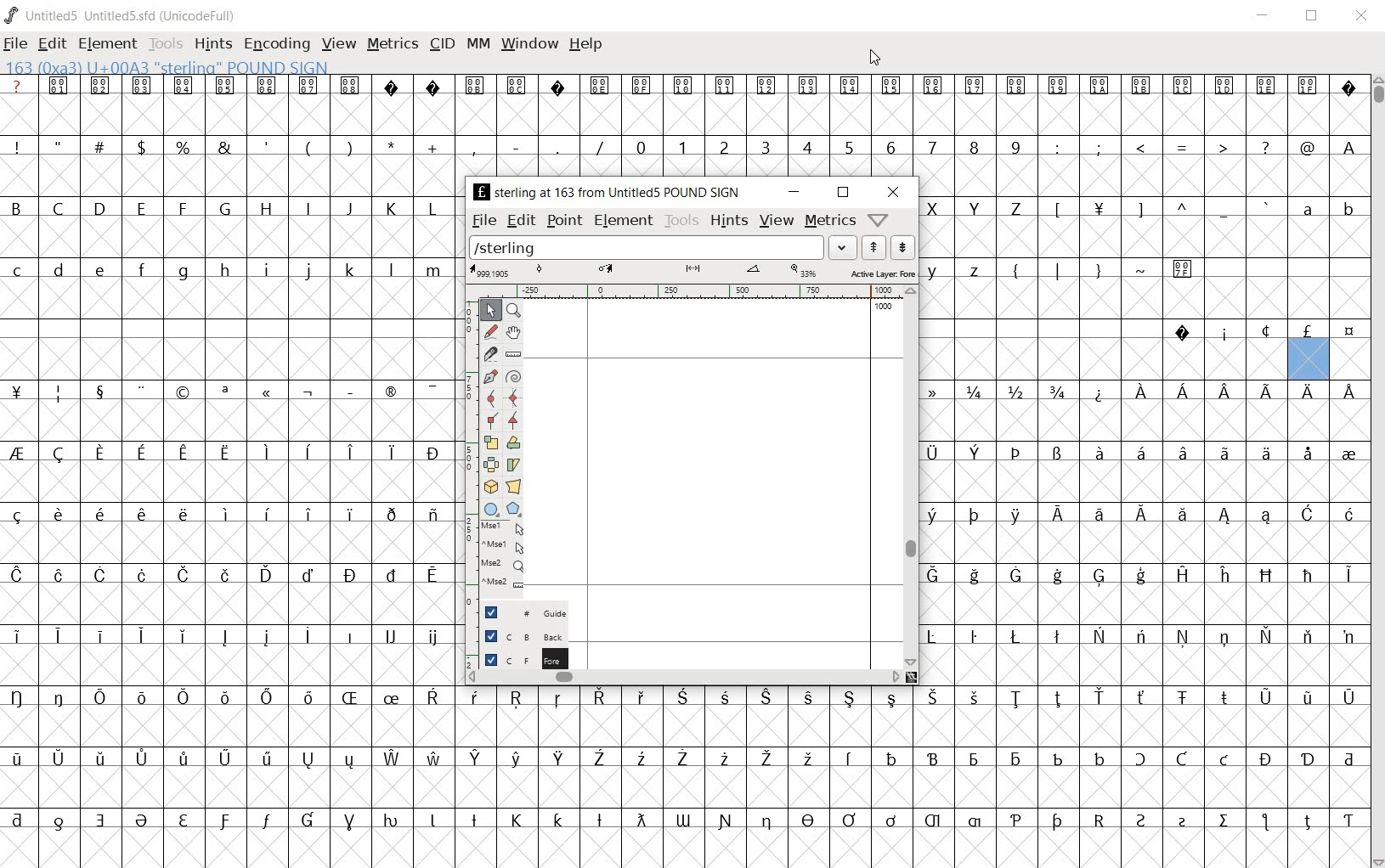 The width and height of the screenshot is (1385, 868). I want to click on CURSOR, so click(874, 59).